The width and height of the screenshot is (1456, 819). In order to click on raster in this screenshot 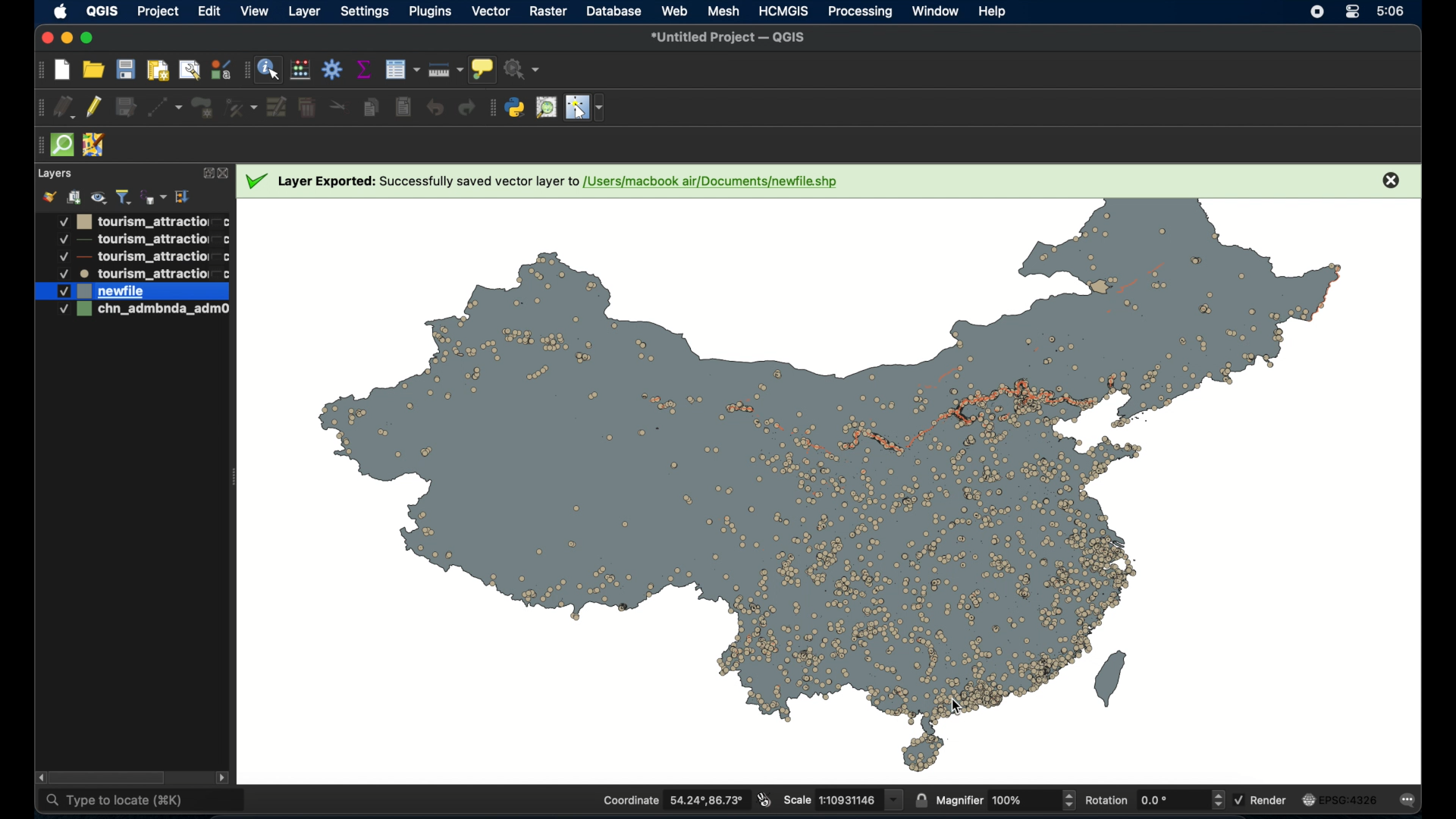, I will do `click(548, 11)`.